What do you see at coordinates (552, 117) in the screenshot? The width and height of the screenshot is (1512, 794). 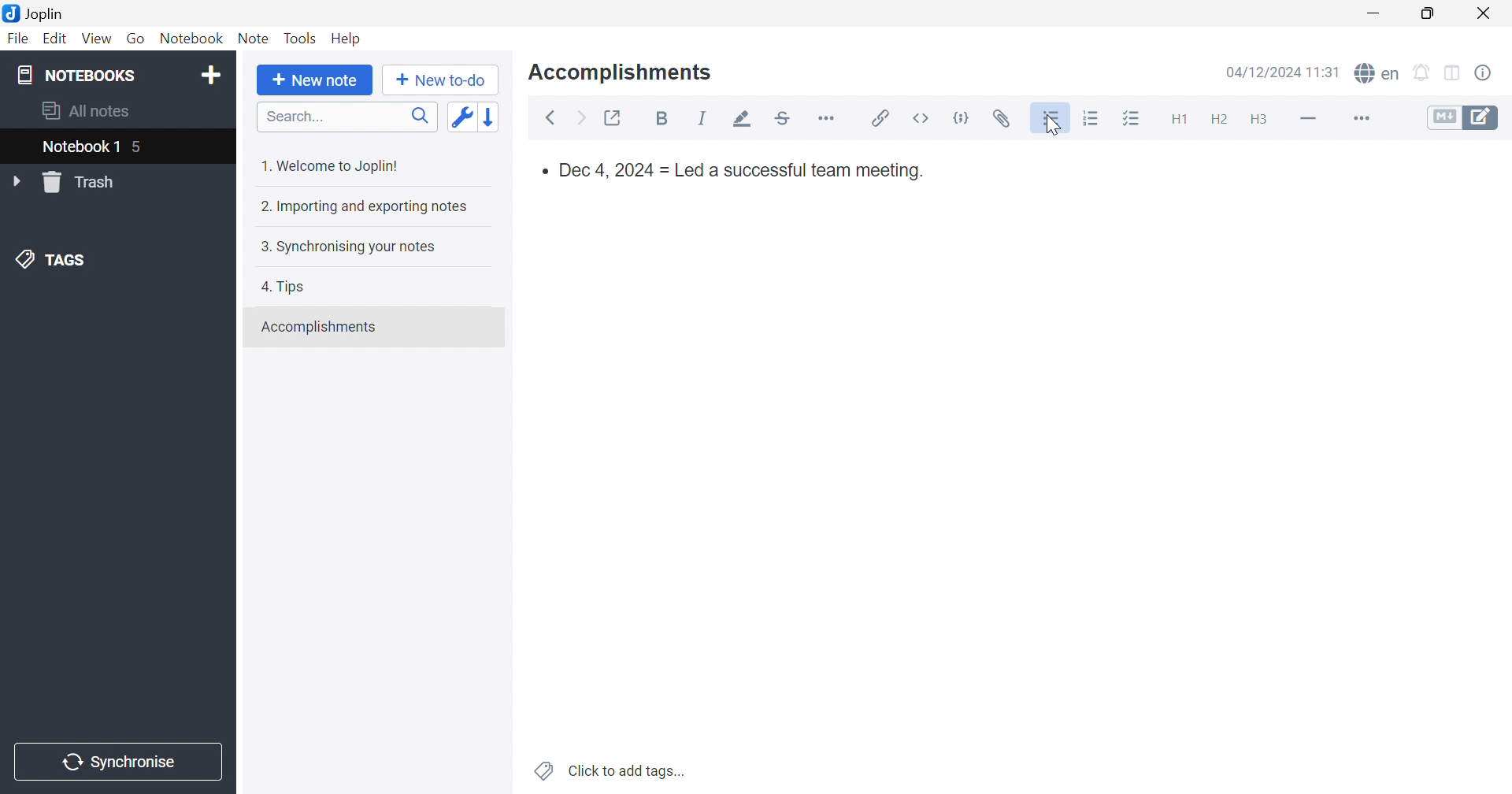 I see `Back` at bounding box center [552, 117].